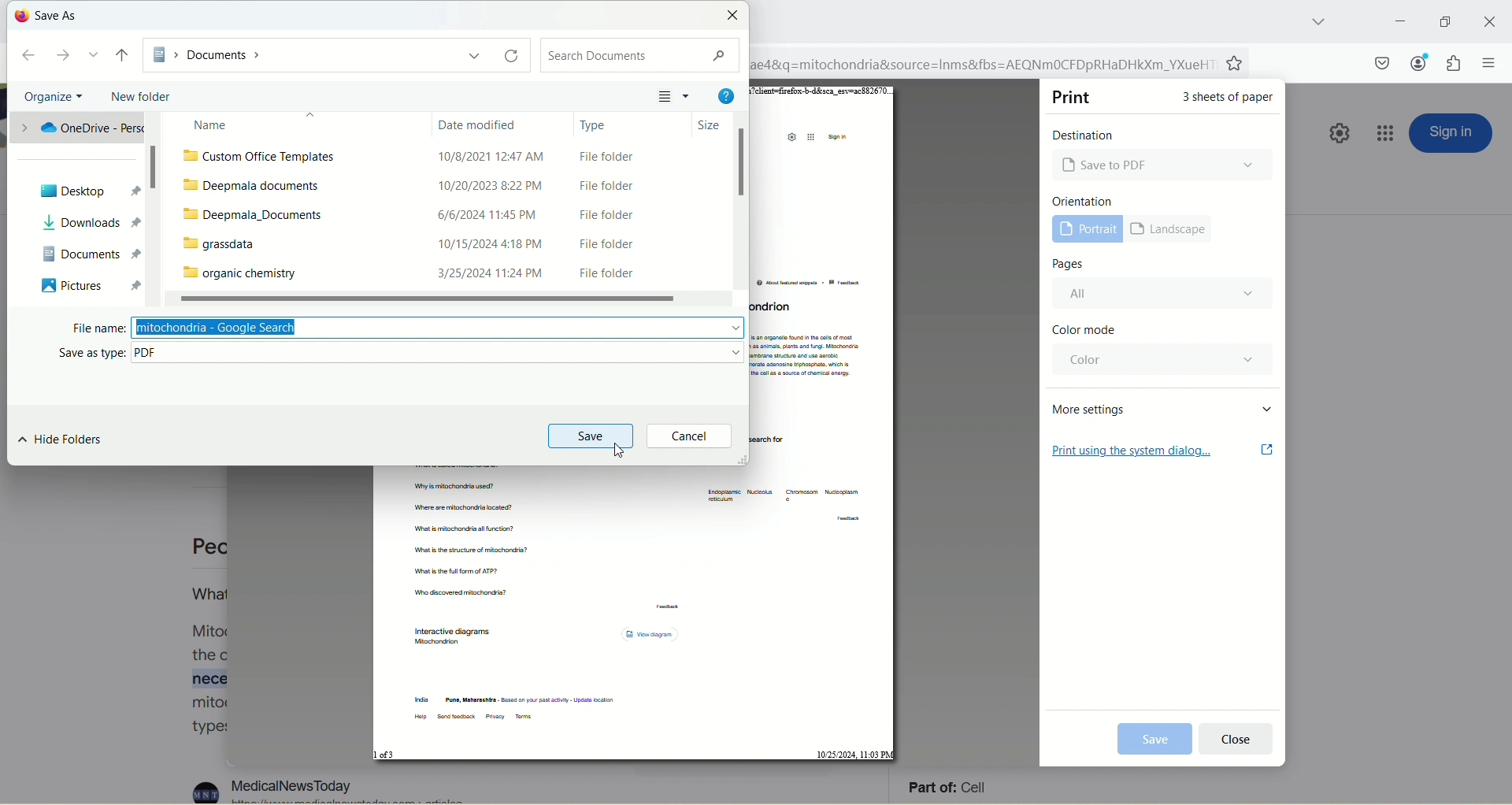 The width and height of the screenshot is (1512, 805). Describe the element at coordinates (87, 353) in the screenshot. I see `save as type` at that location.